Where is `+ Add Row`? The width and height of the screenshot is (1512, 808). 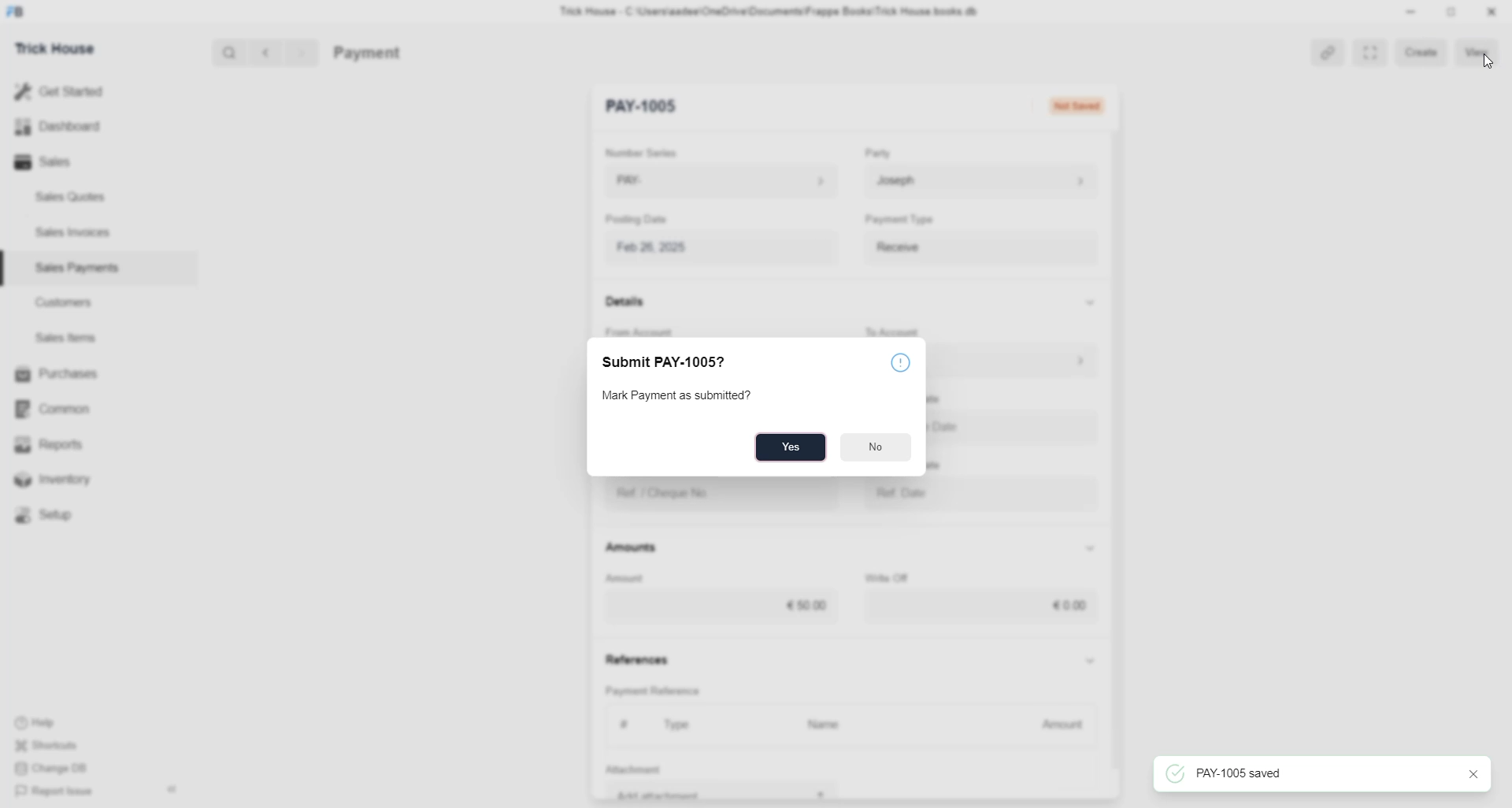 + Add Row is located at coordinates (699, 769).